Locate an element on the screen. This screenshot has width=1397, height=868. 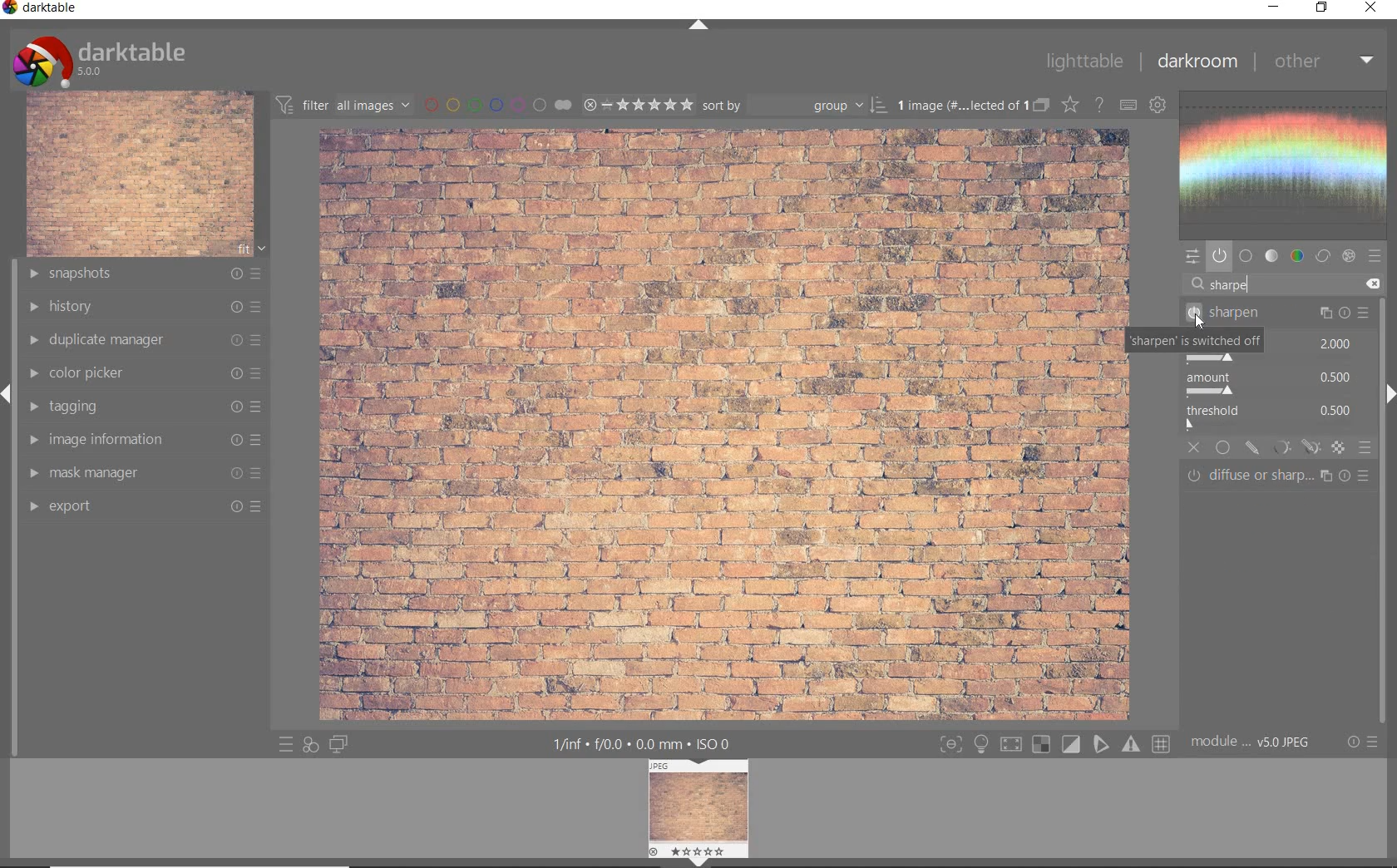
history is located at coordinates (147, 307).